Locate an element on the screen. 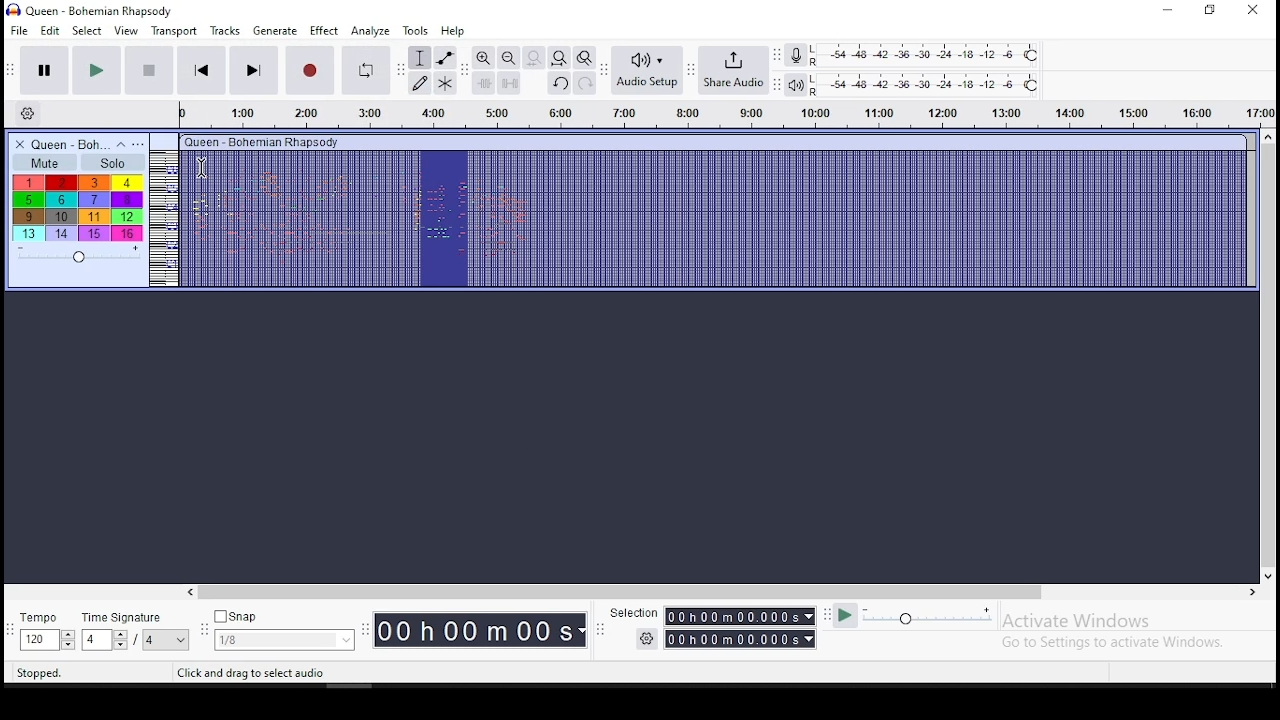 This screenshot has width=1280, height=720. text is located at coordinates (263, 140).